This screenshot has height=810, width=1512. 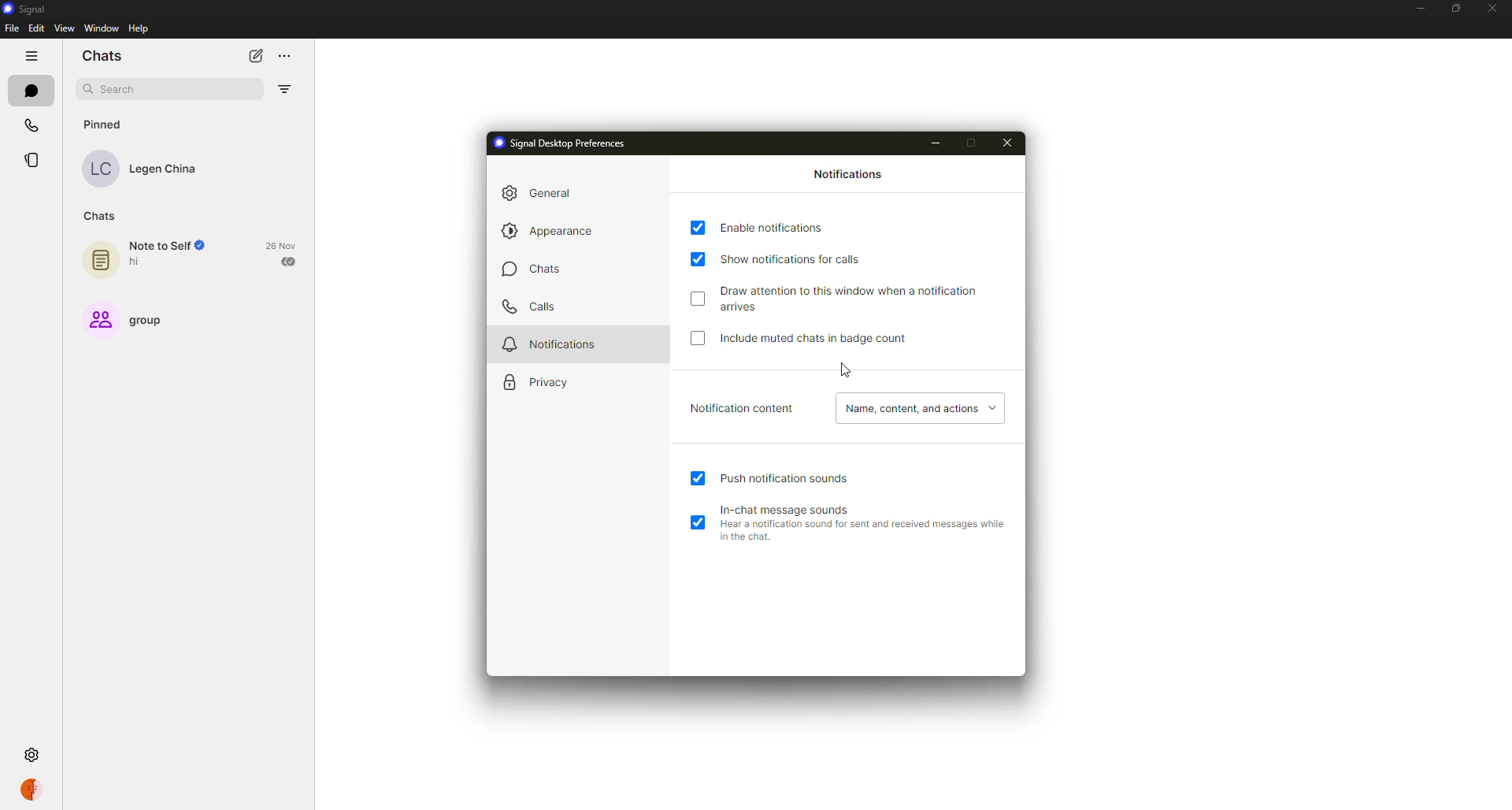 What do you see at coordinates (31, 55) in the screenshot?
I see `hide tabs` at bounding box center [31, 55].